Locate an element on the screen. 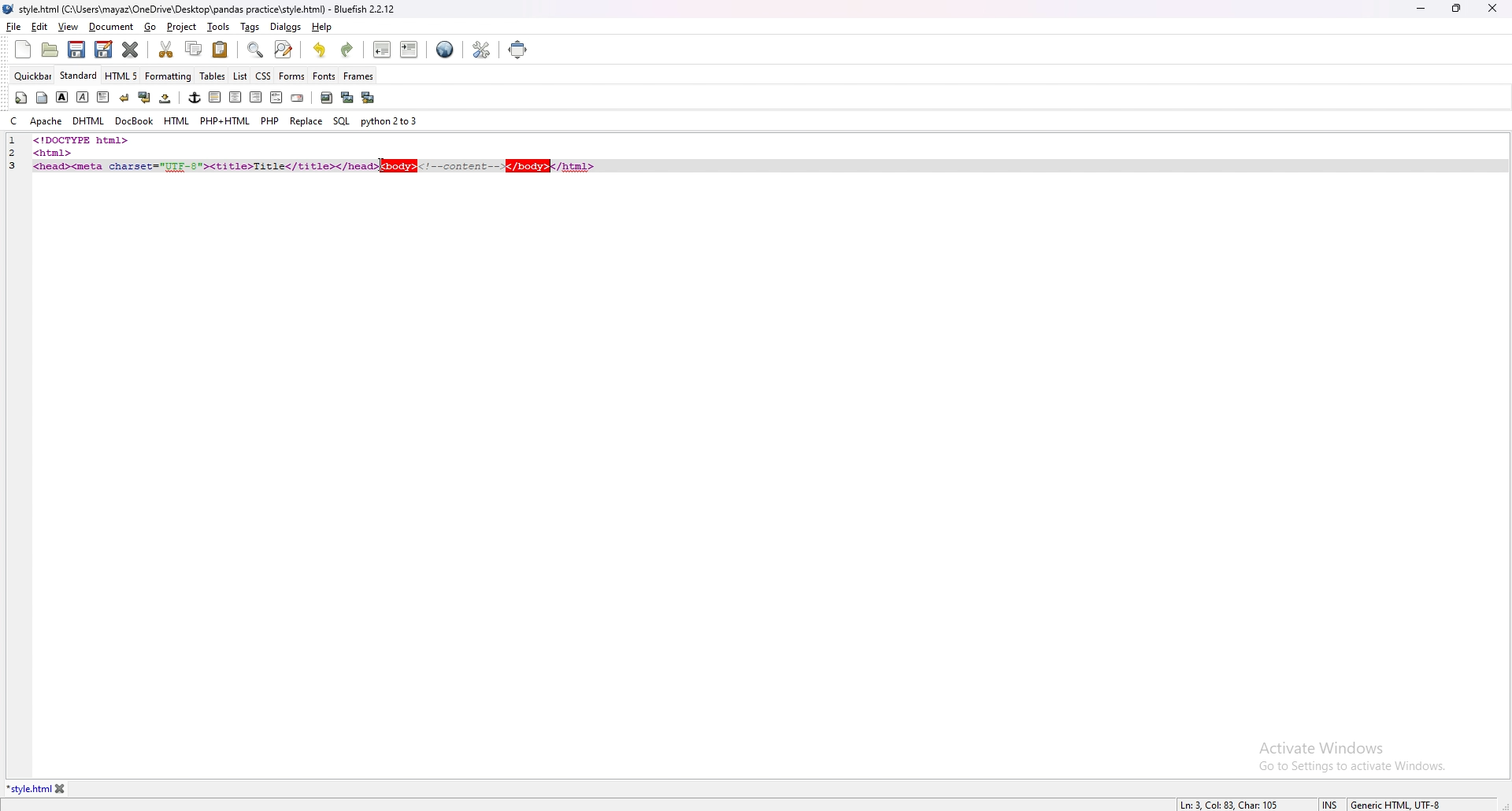 The height and width of the screenshot is (811, 1512). quickbar is located at coordinates (34, 76).